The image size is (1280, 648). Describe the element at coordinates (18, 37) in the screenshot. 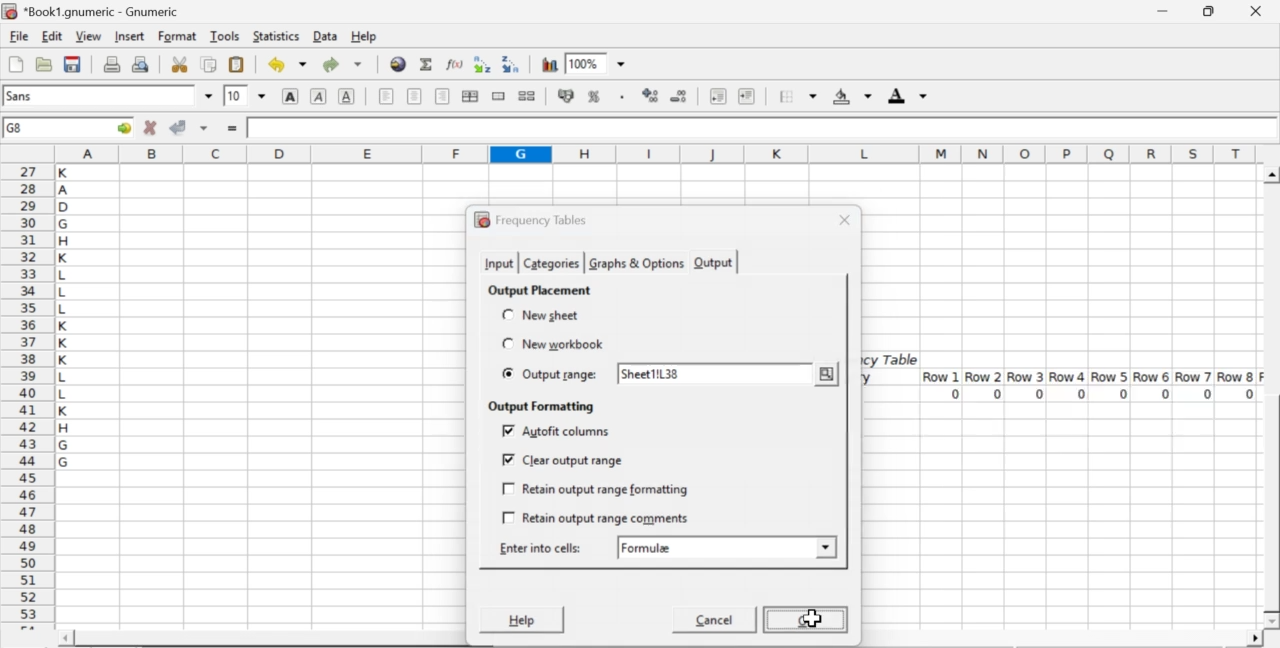

I see `file` at that location.